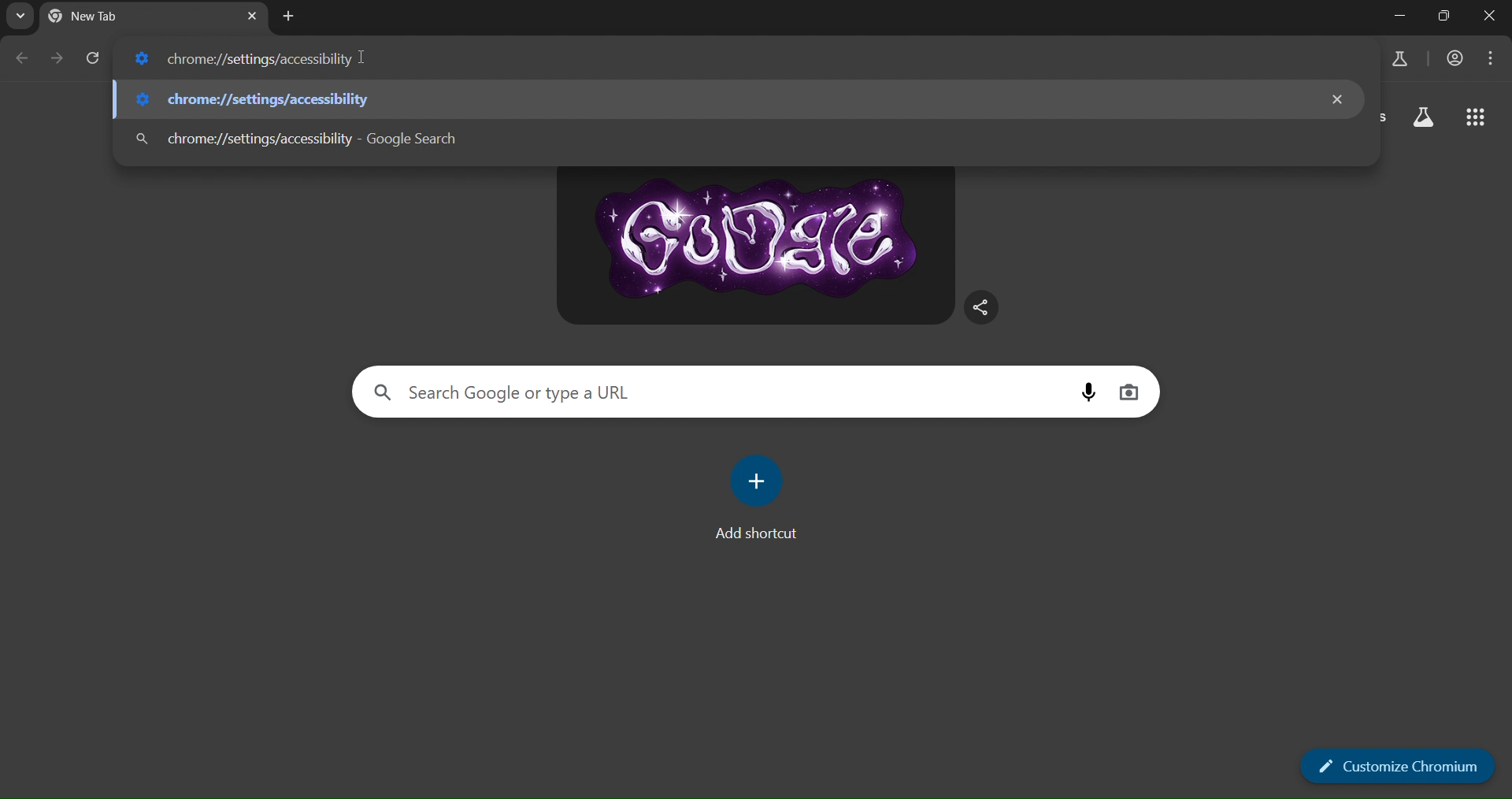  What do you see at coordinates (1492, 58) in the screenshot?
I see `menu` at bounding box center [1492, 58].